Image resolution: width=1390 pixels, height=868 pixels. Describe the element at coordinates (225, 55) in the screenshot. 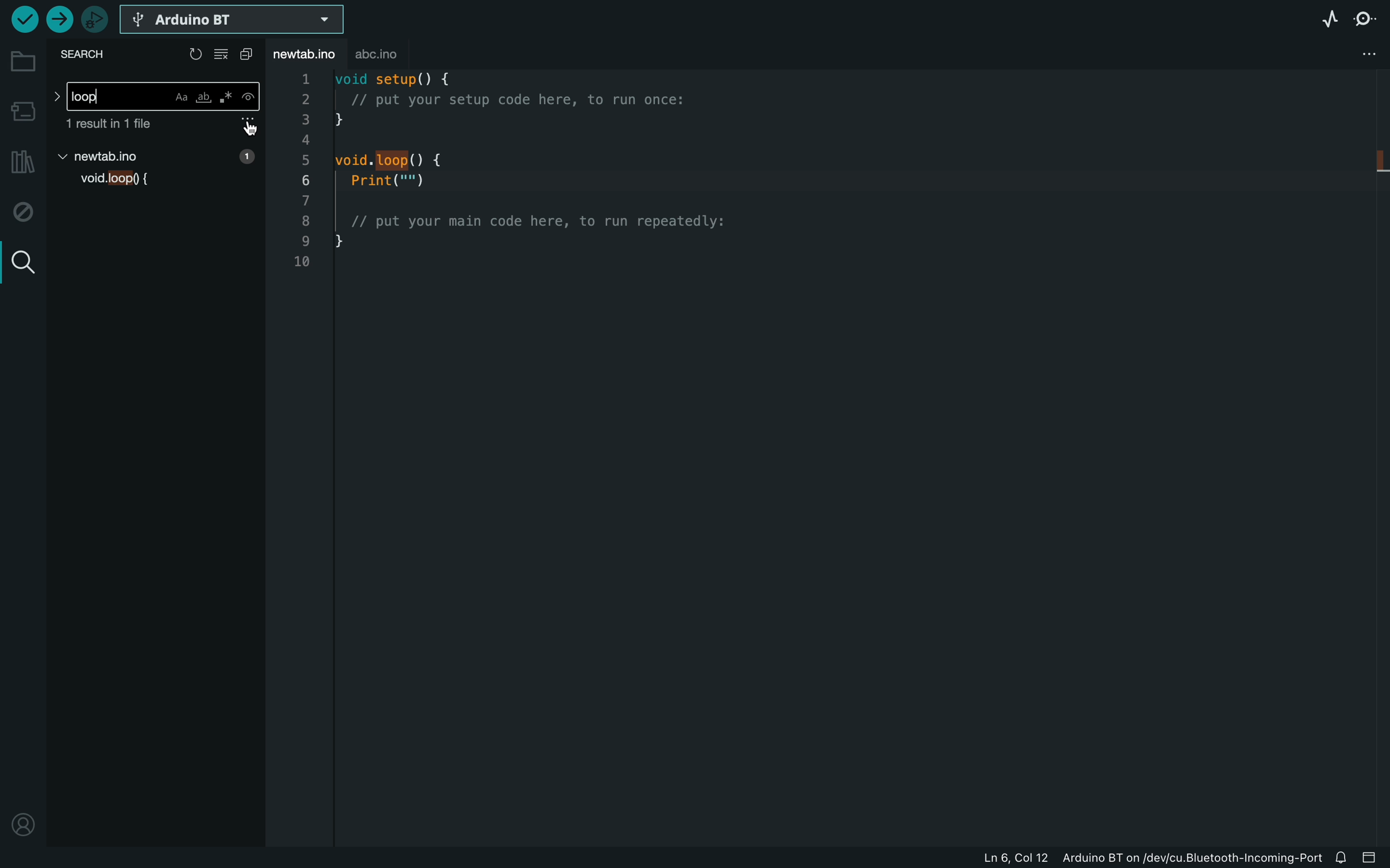

I see `clear` at that location.